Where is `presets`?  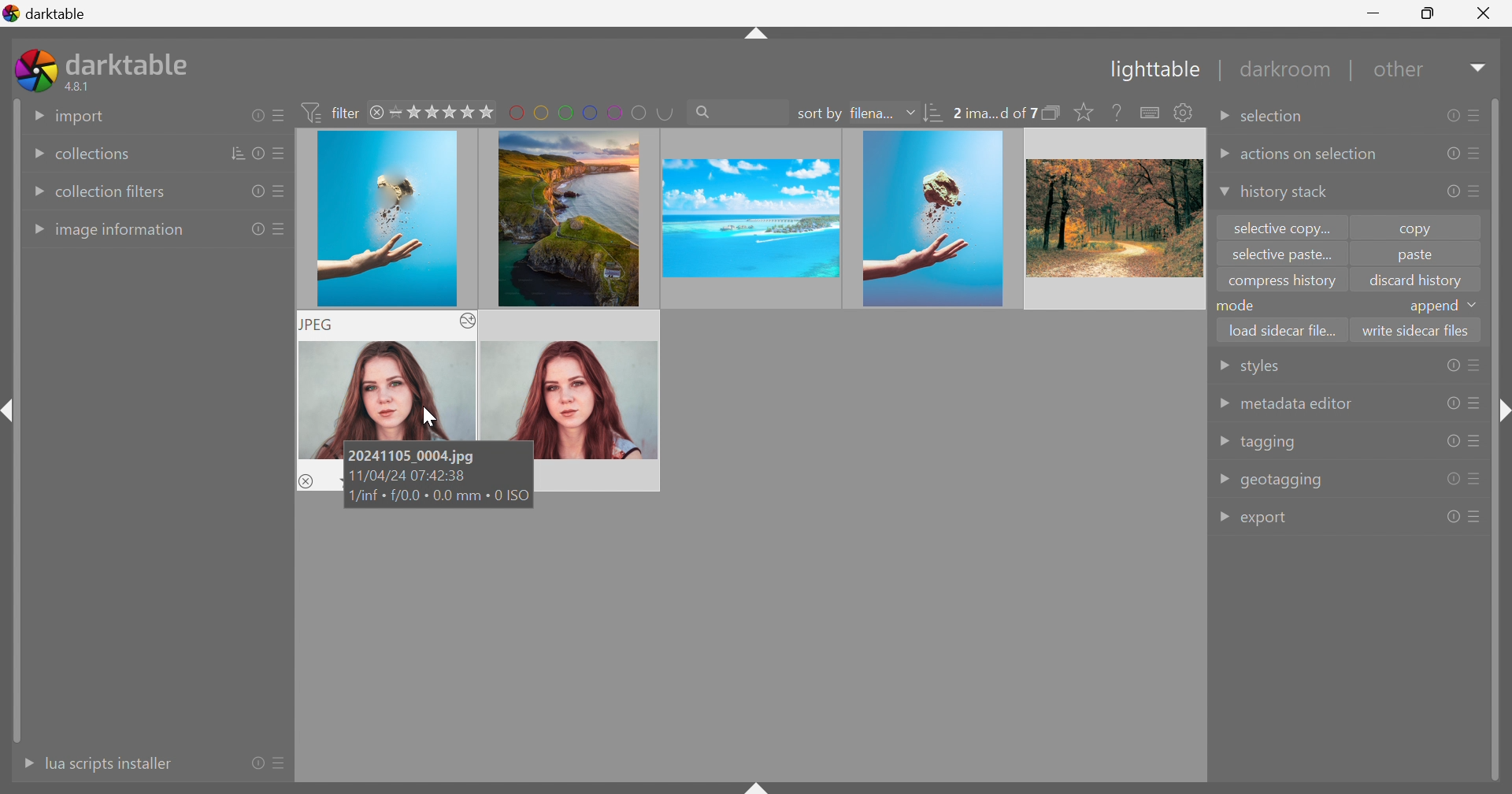
presets is located at coordinates (280, 155).